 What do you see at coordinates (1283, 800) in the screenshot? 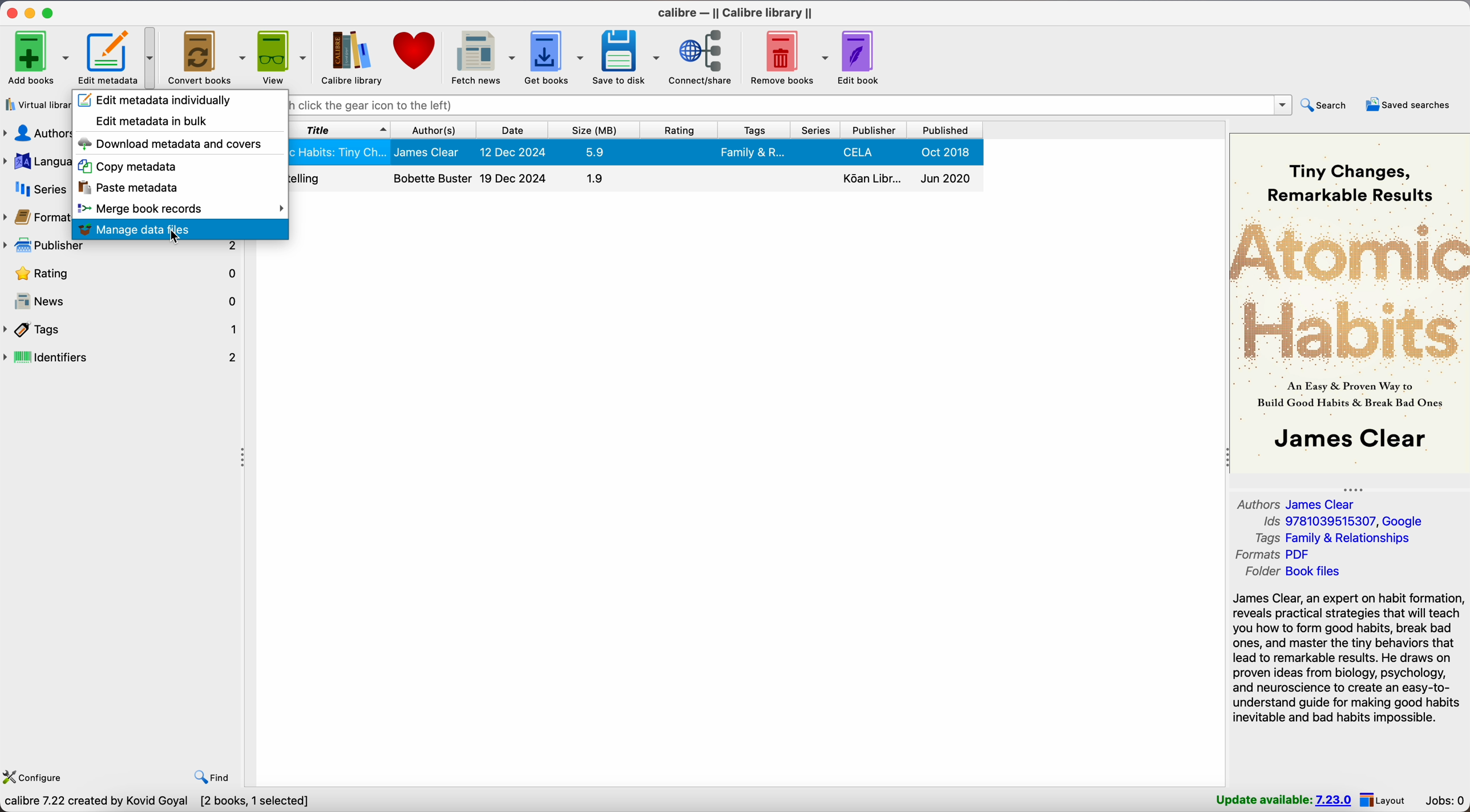
I see `update available: 7.23.0` at bounding box center [1283, 800].